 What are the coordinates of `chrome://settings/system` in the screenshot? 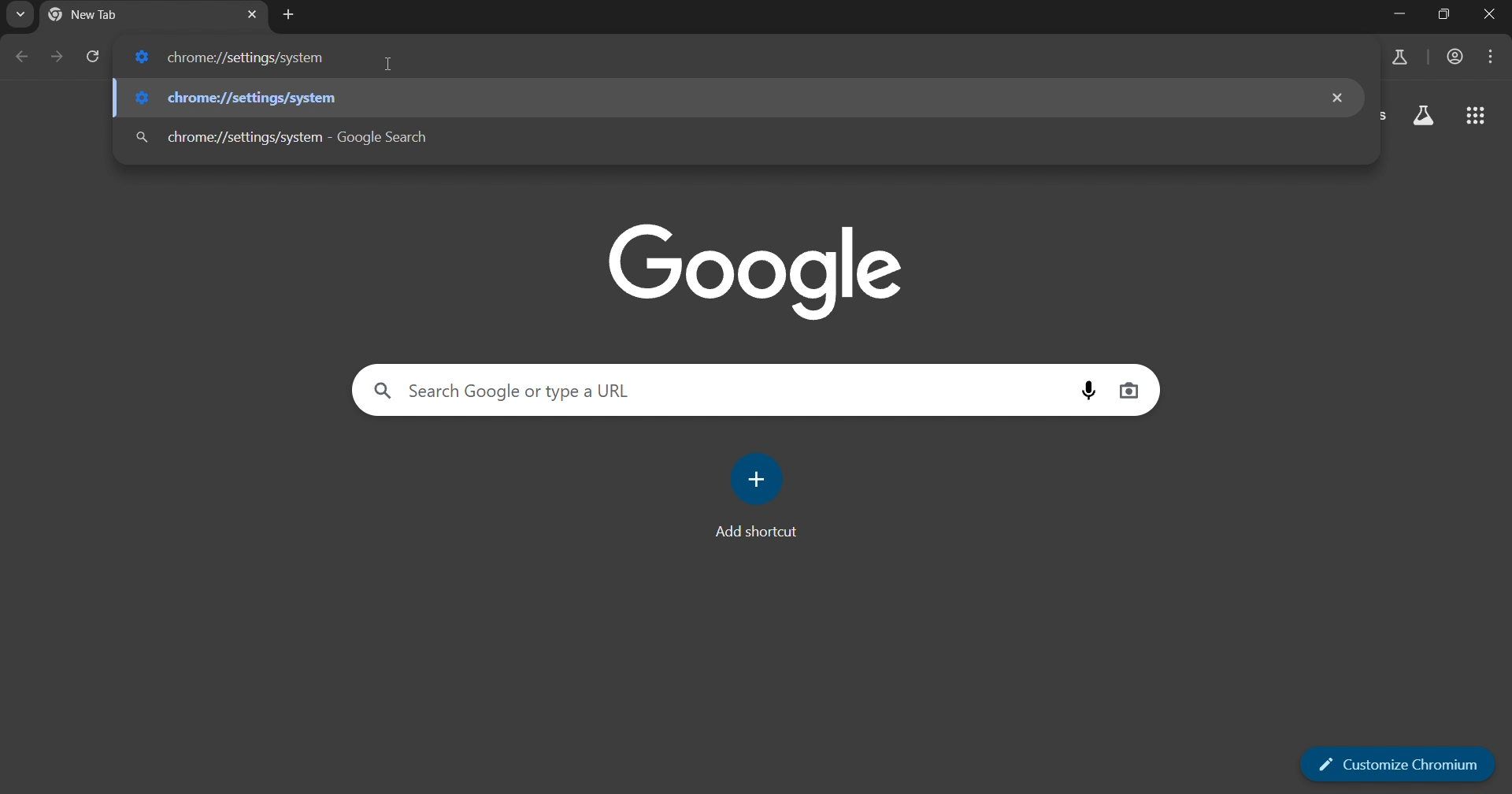 It's located at (298, 133).